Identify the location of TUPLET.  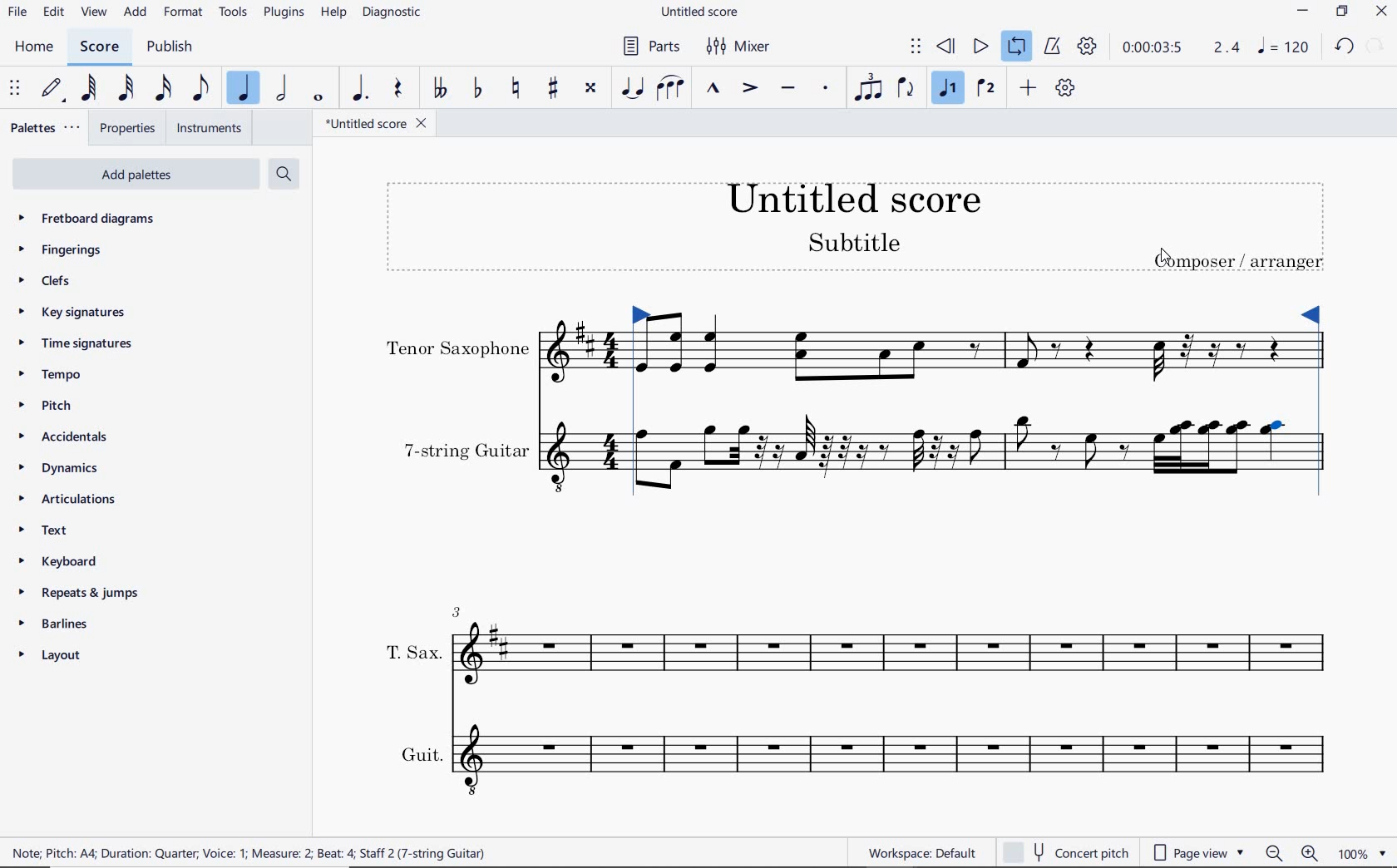
(866, 88).